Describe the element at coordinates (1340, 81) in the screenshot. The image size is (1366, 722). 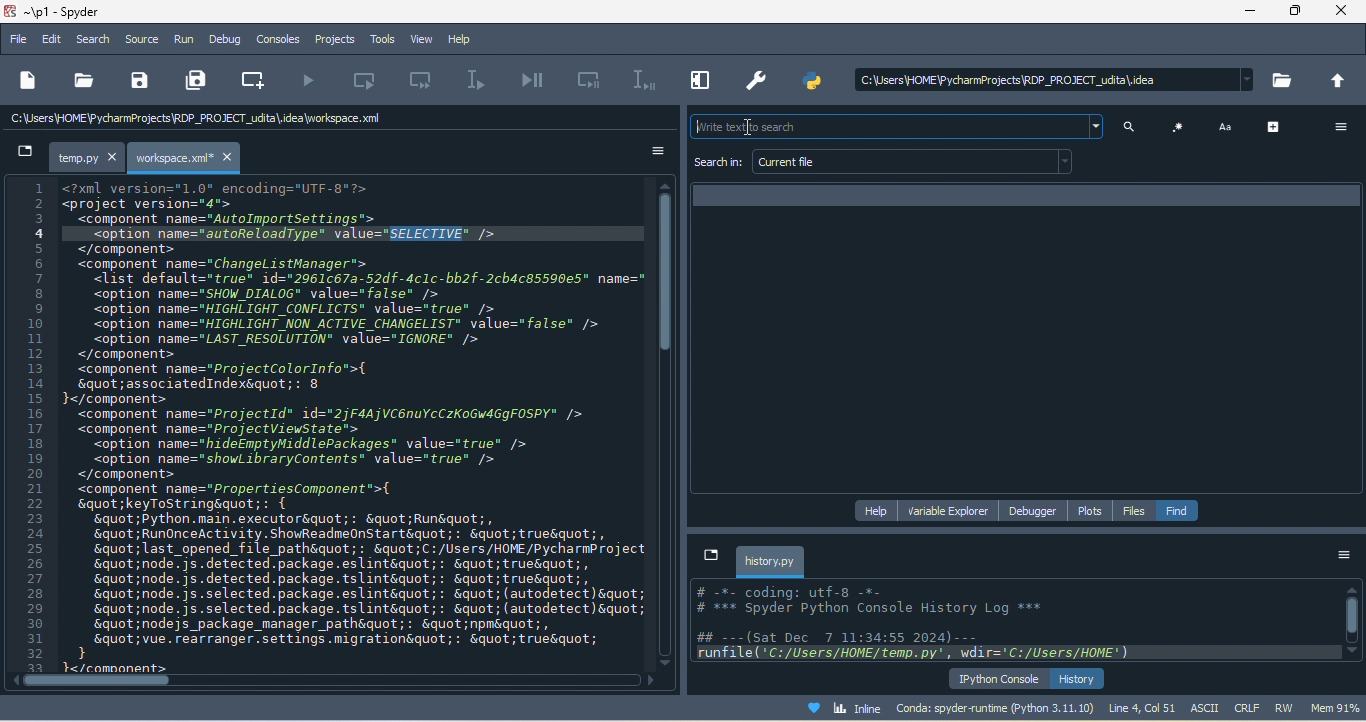
I see `change to current directory` at that location.